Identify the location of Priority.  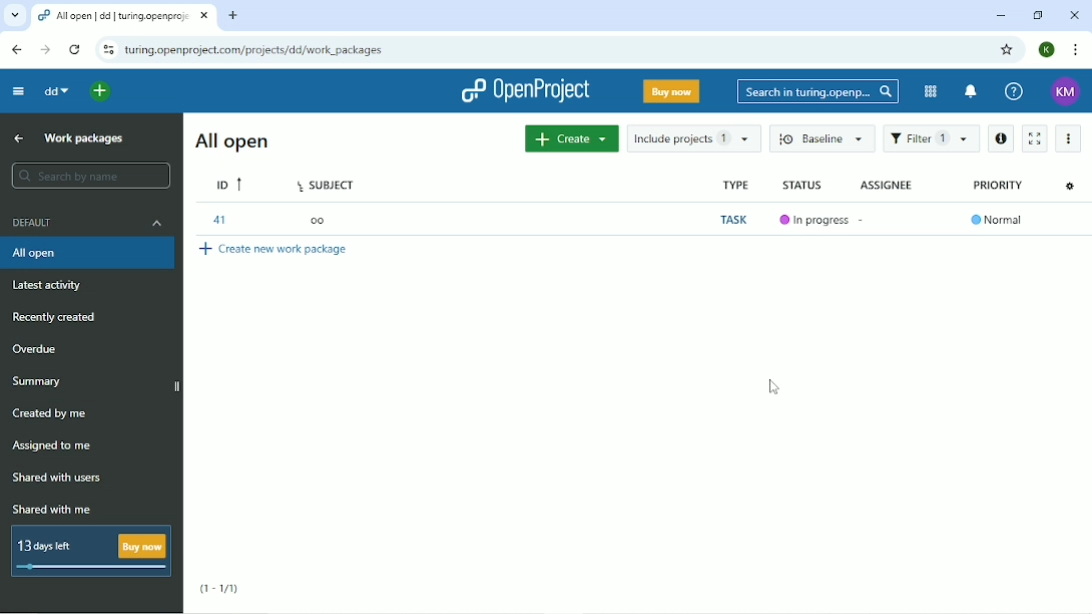
(997, 186).